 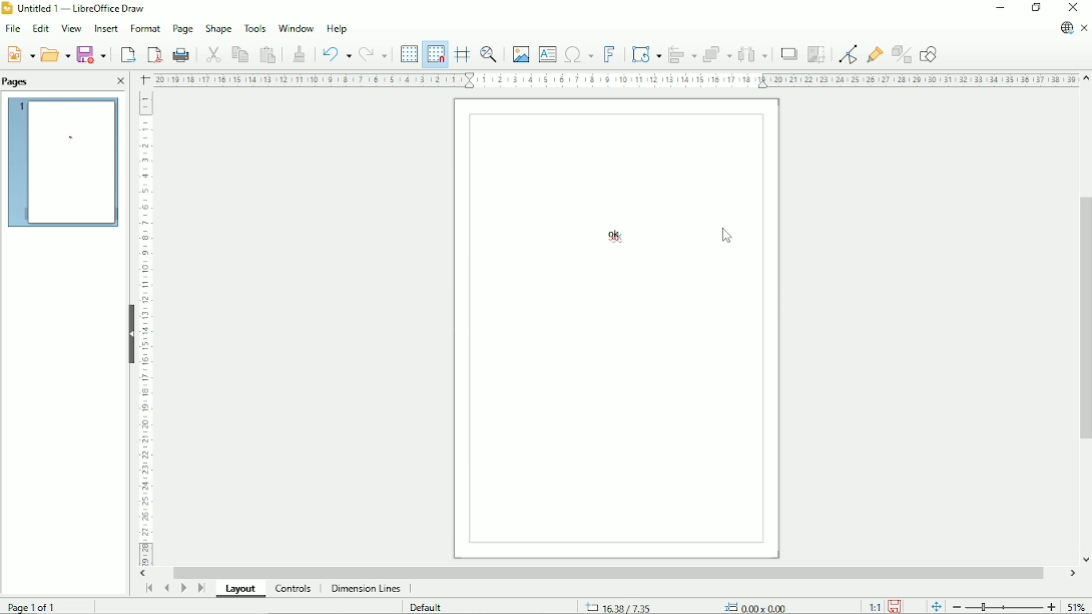 I want to click on Snap to grid, so click(x=435, y=54).